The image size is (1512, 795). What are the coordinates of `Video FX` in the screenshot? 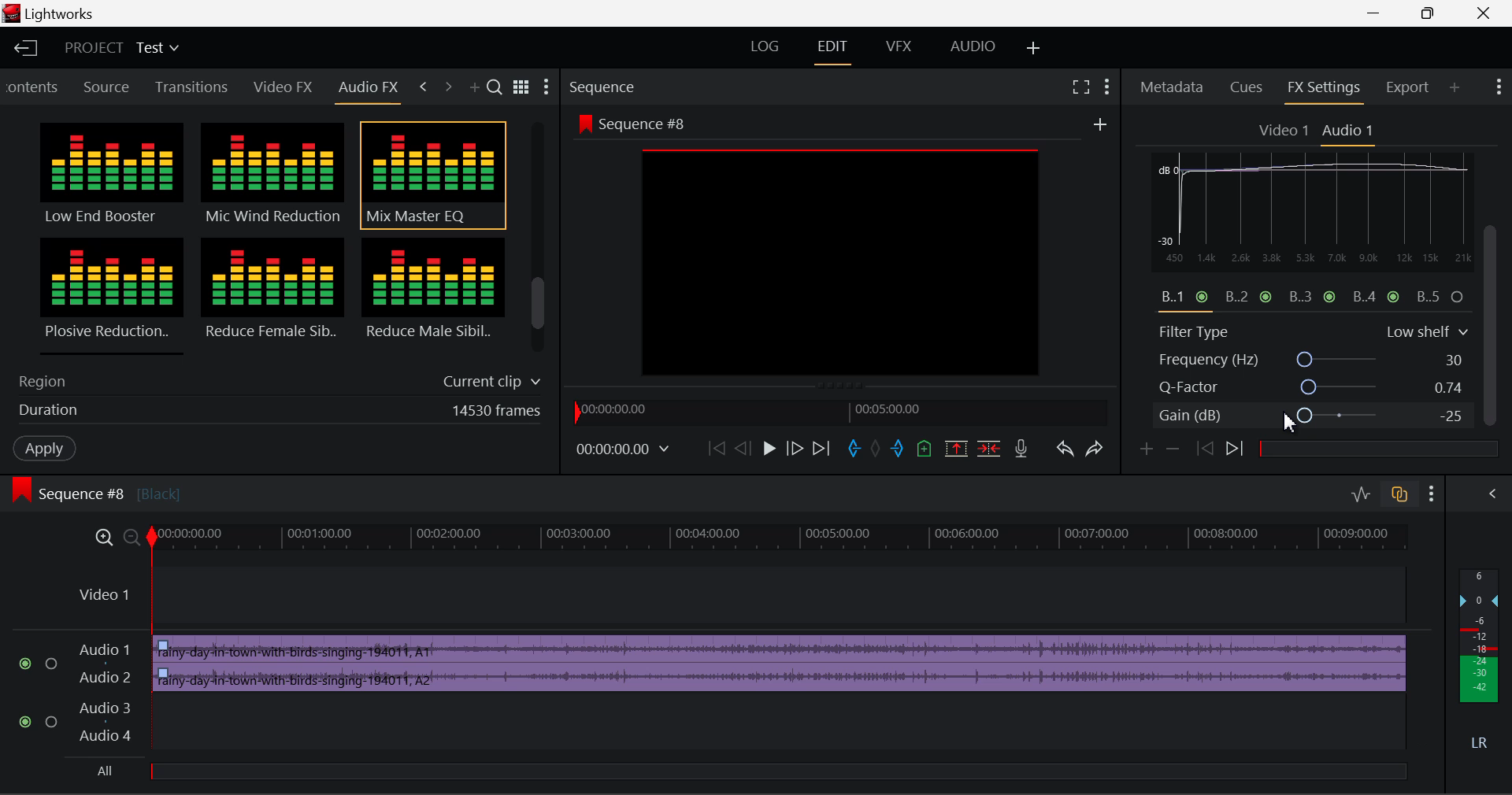 It's located at (279, 88).